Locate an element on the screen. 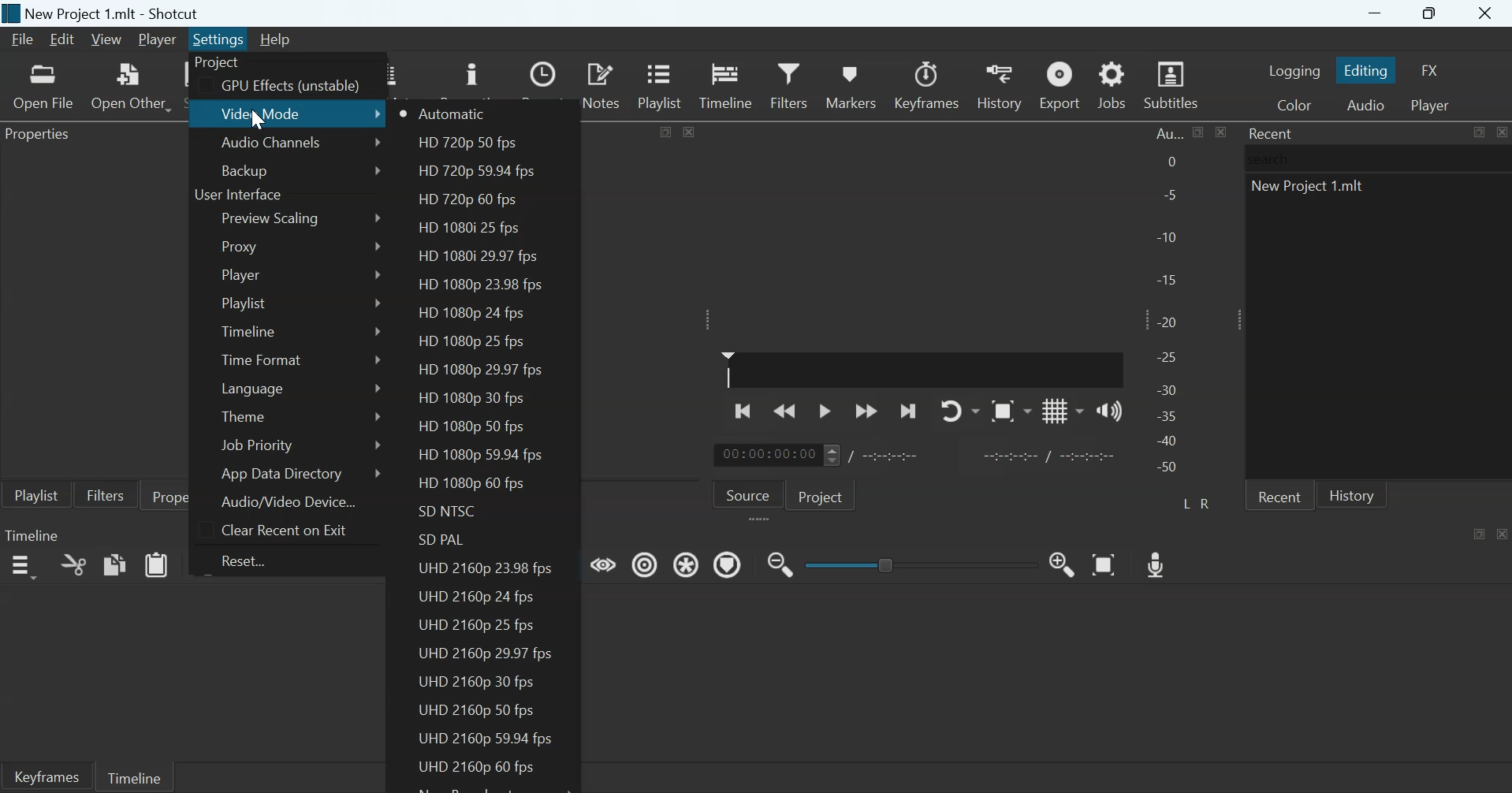  Help is located at coordinates (274, 39).